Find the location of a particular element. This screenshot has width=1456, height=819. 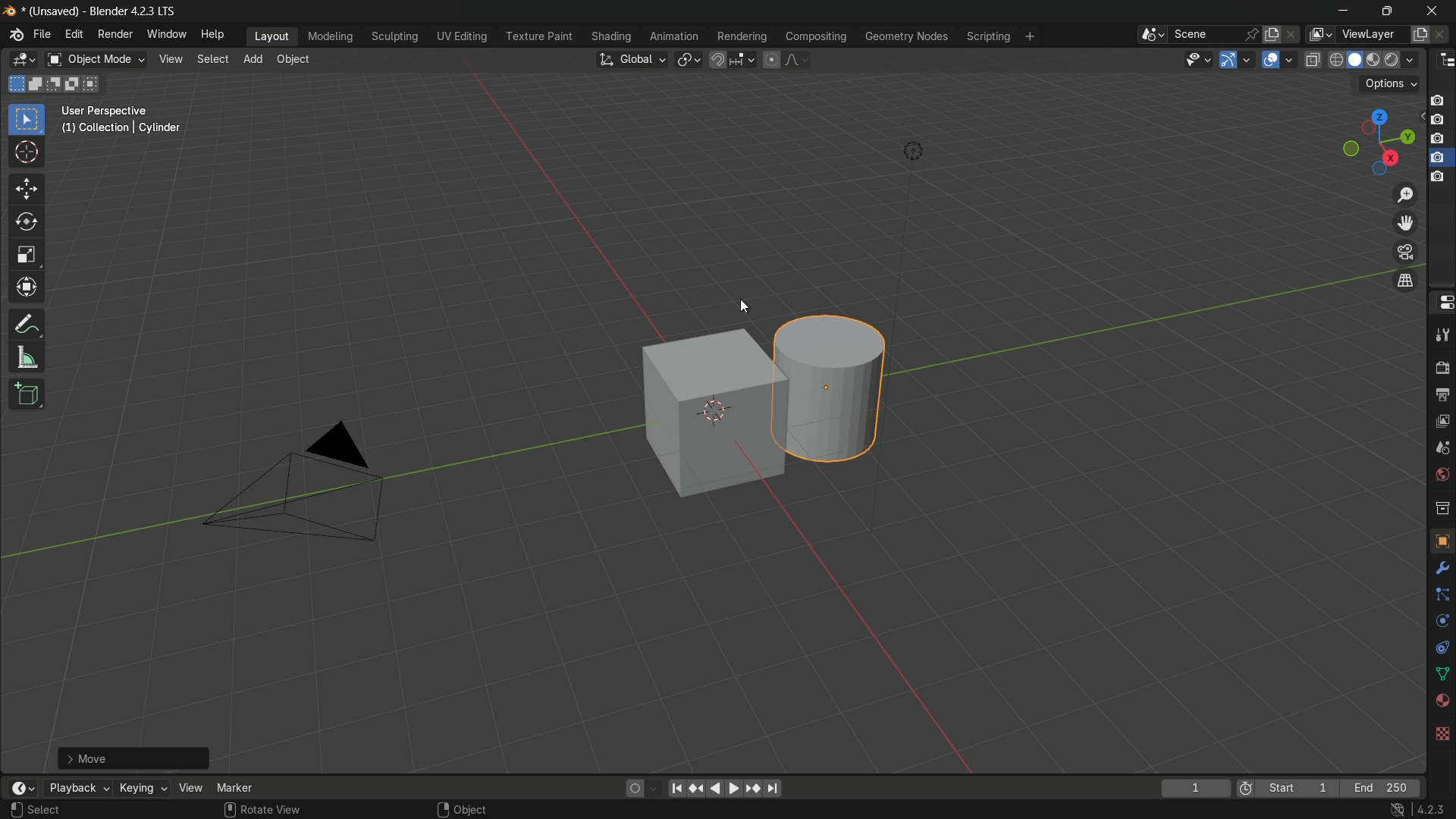

scene is located at coordinates (1441, 449).